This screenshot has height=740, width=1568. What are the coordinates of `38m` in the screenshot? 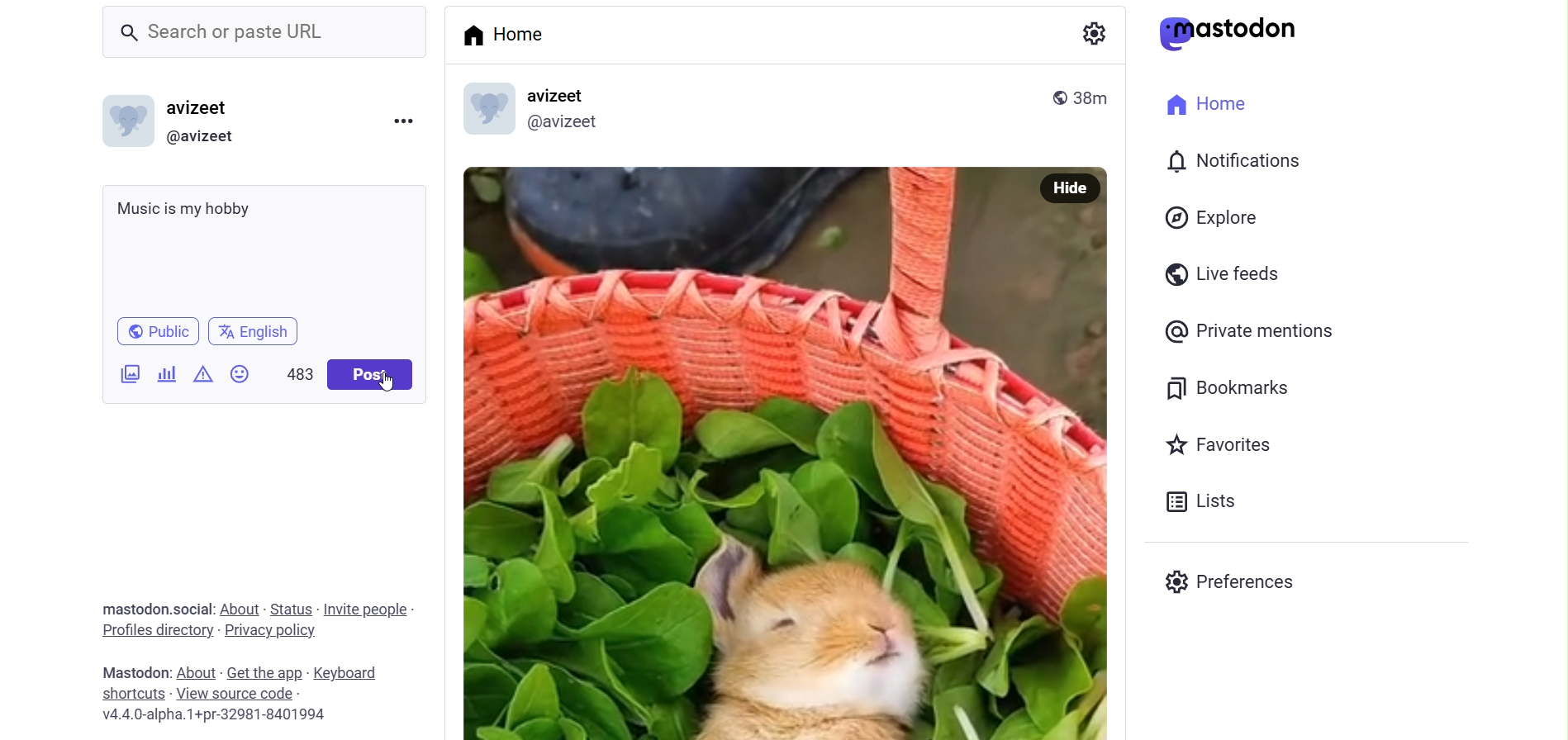 It's located at (1098, 97).